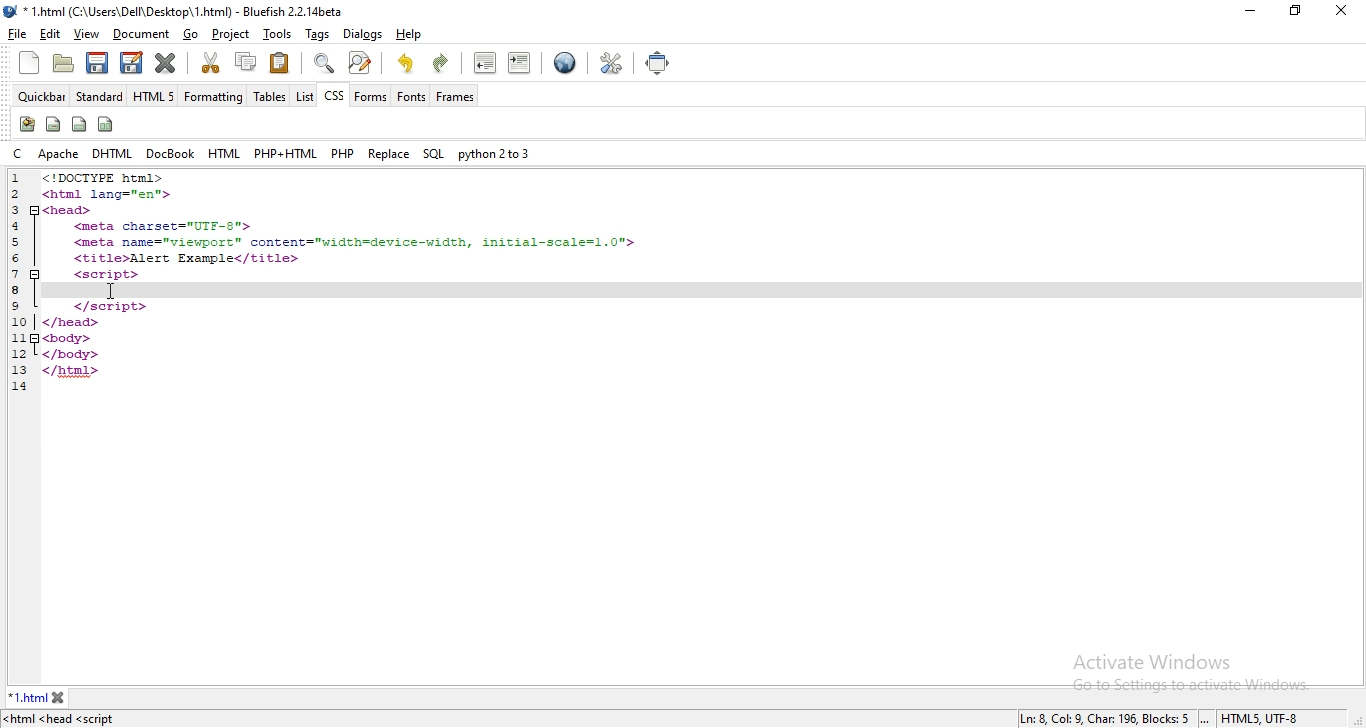 The height and width of the screenshot is (728, 1366). Describe the element at coordinates (18, 338) in the screenshot. I see `11` at that location.